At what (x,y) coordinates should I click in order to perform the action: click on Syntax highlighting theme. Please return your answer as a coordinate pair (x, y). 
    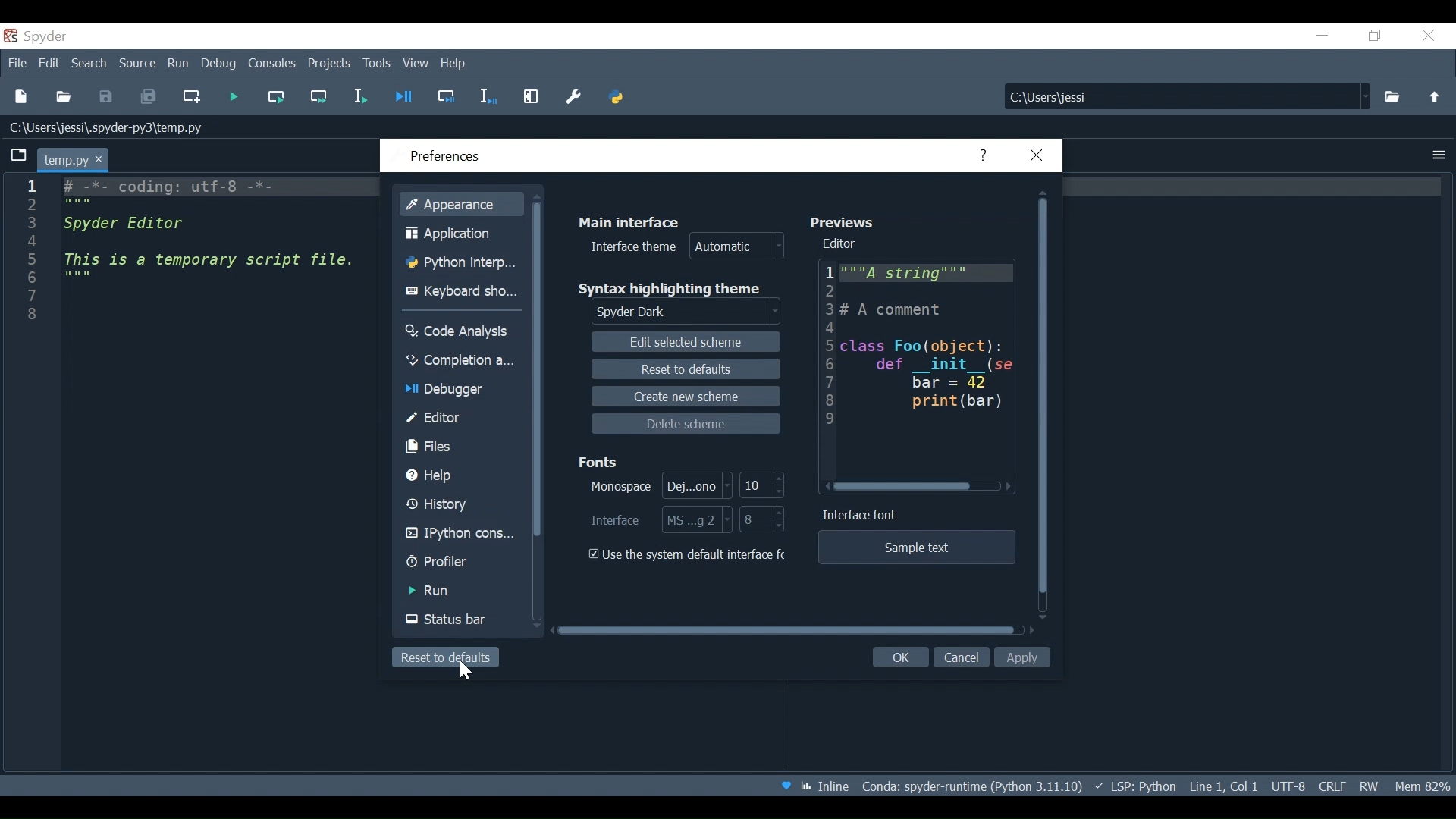
    Looking at the image, I should click on (671, 288).